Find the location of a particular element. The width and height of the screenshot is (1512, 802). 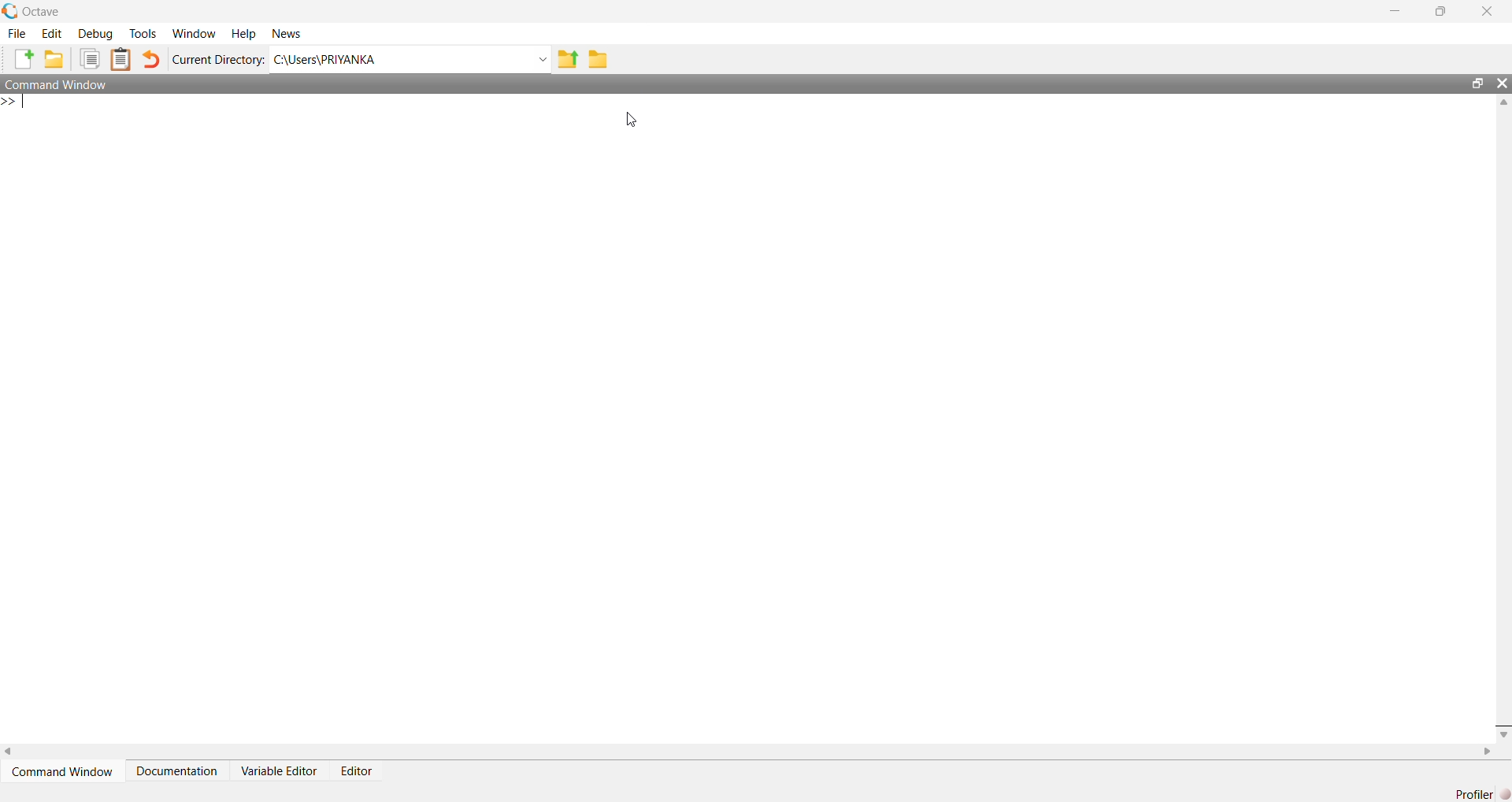

ENter Input is located at coordinates (15, 105).